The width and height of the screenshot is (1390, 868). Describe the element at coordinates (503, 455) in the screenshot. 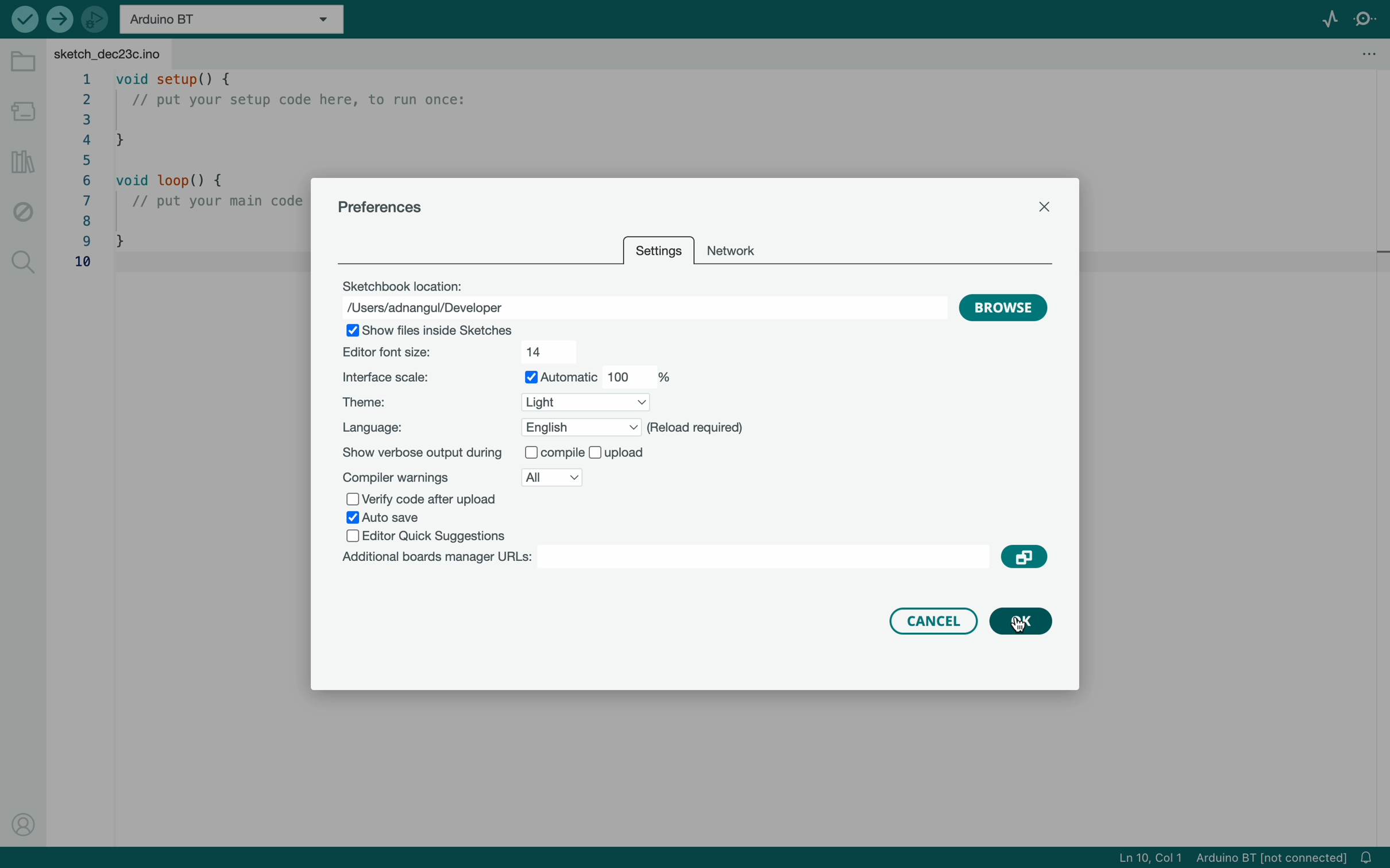

I see `show output` at that location.